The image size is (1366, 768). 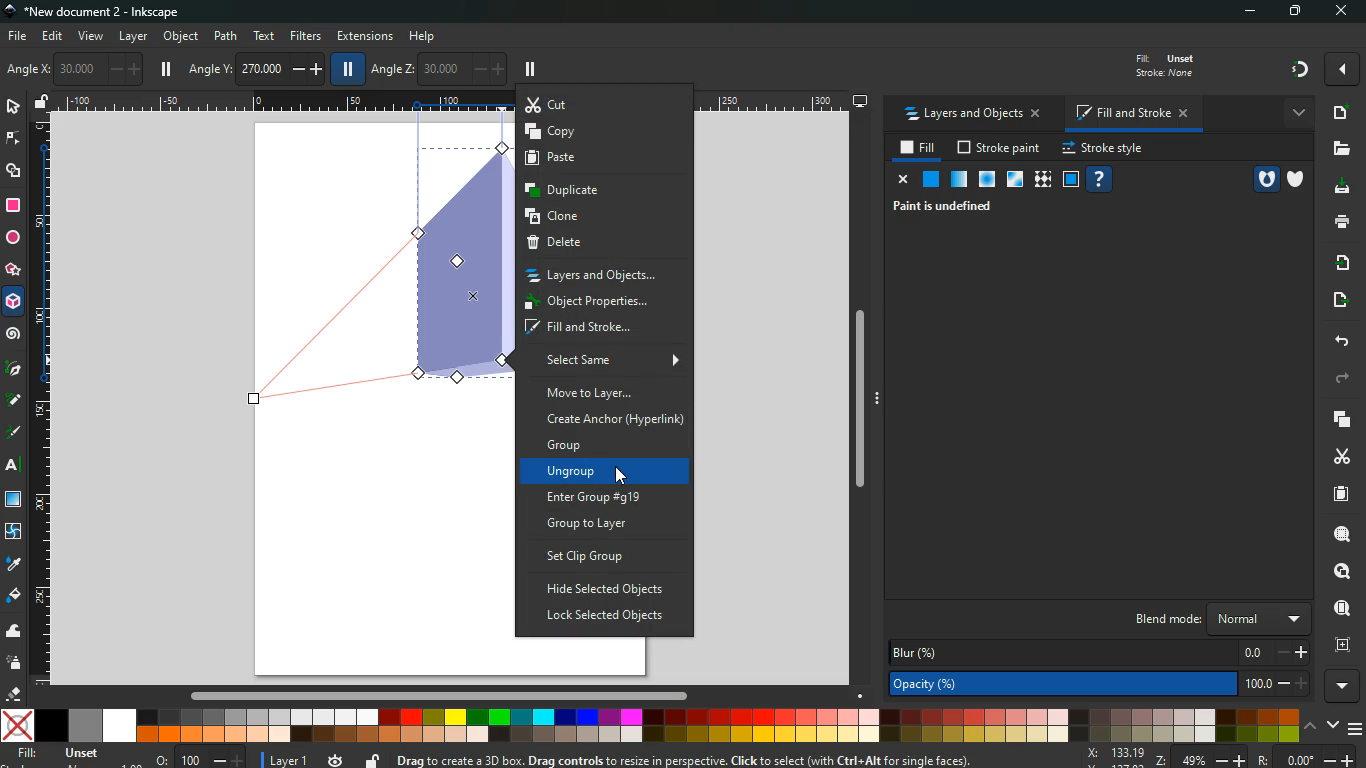 What do you see at coordinates (16, 399) in the screenshot?
I see `note` at bounding box center [16, 399].